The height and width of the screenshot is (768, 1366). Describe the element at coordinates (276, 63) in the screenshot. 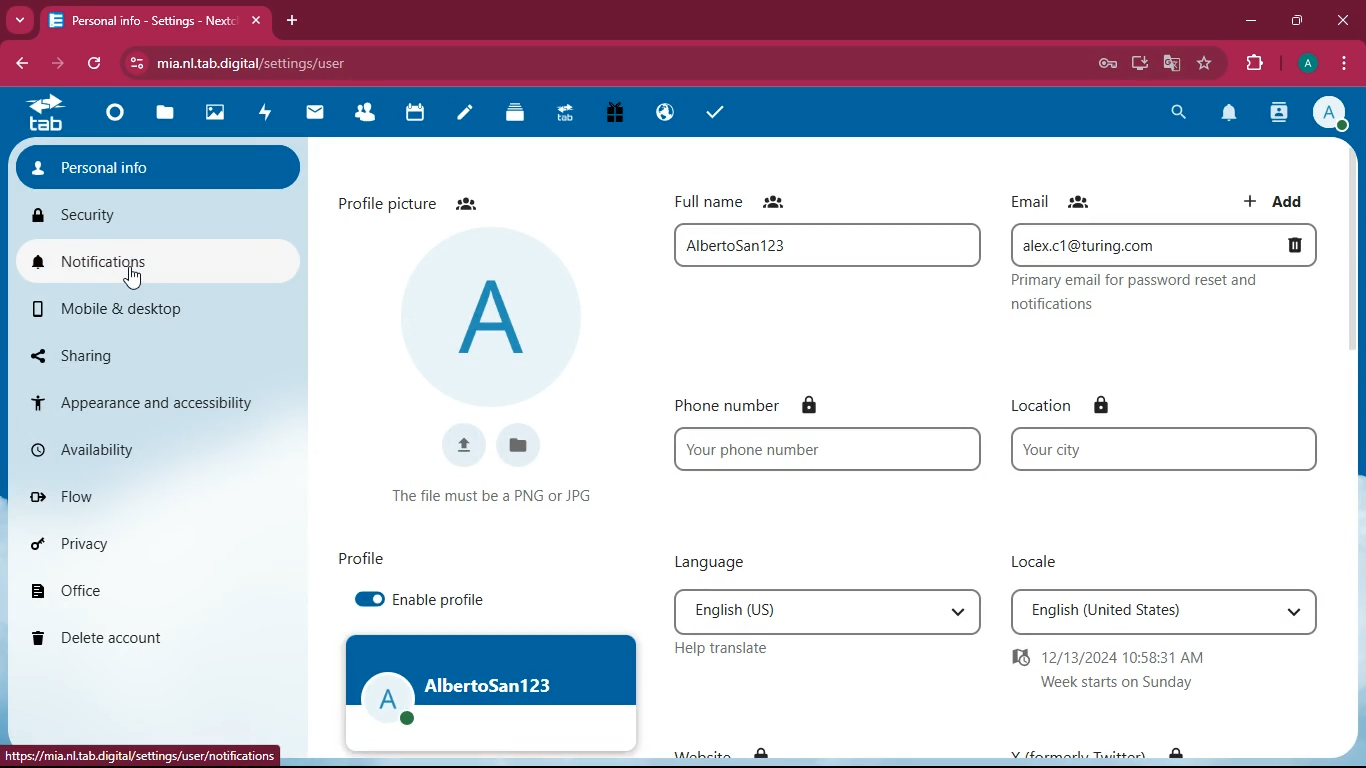

I see `mia.nl.tab.digital/apps/settings/user` at that location.